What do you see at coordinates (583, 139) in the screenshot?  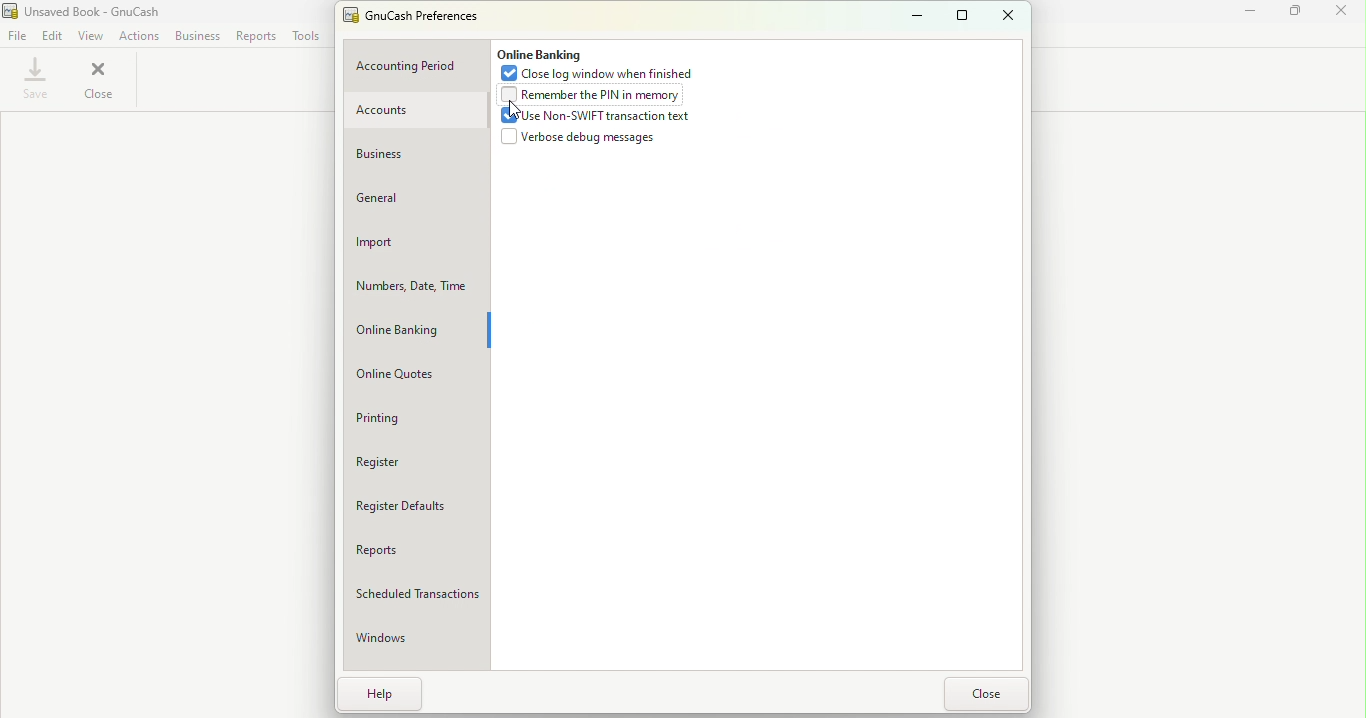 I see `Verbose debug messages` at bounding box center [583, 139].